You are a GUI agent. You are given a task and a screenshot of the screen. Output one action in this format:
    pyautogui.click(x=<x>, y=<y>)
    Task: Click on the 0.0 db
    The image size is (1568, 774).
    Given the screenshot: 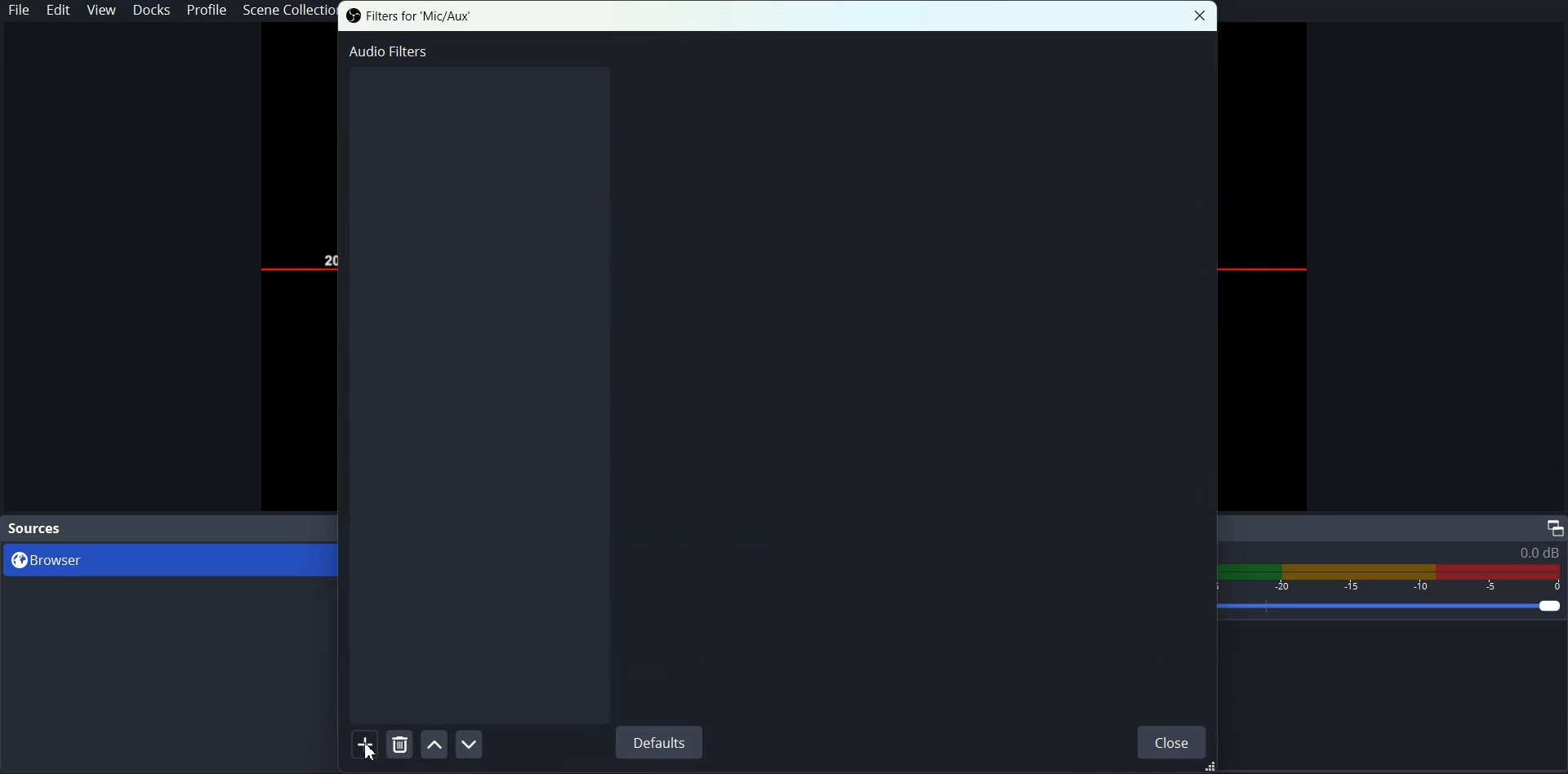 What is the action you would take?
    pyautogui.click(x=1539, y=553)
    